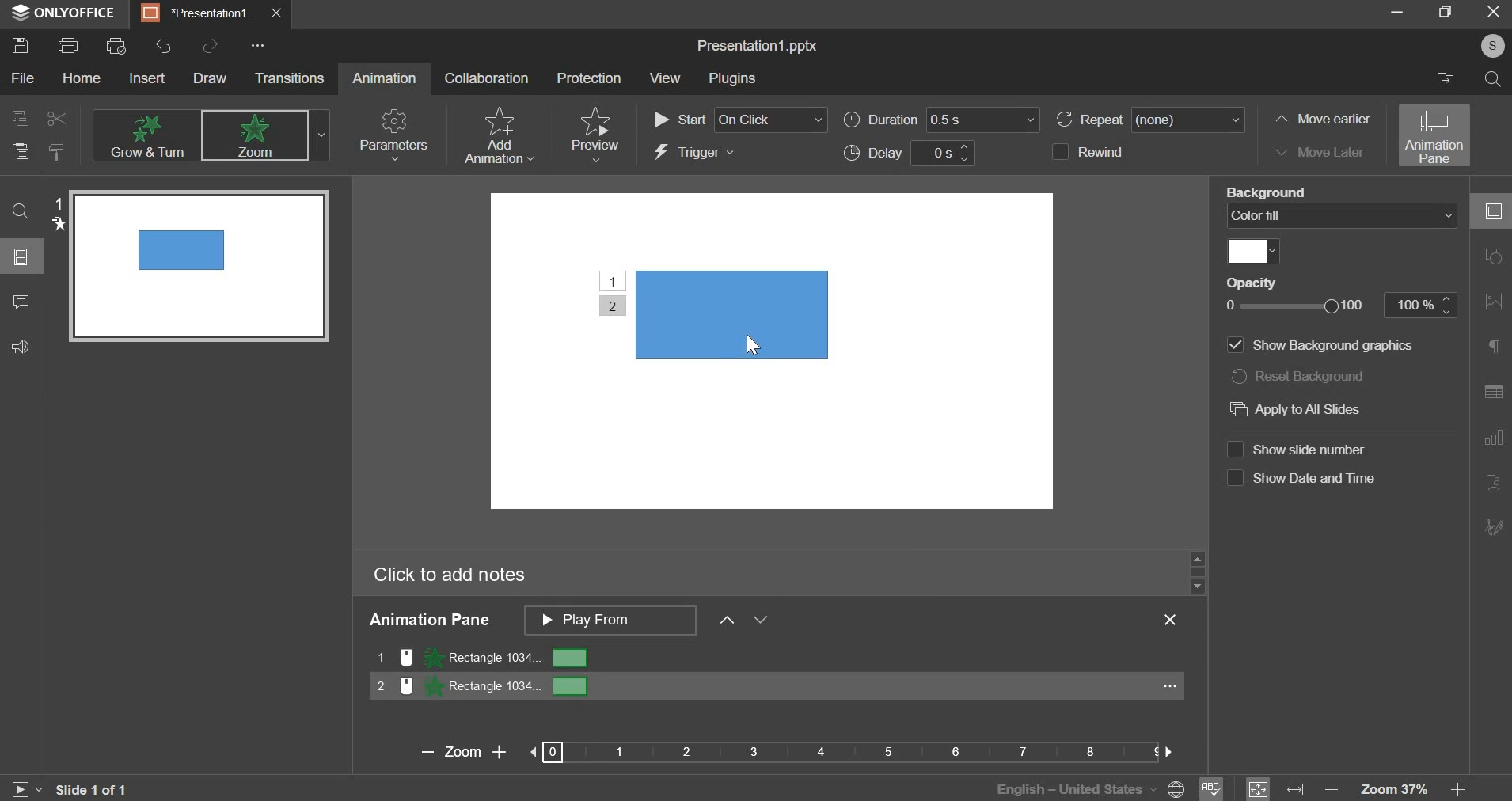 The height and width of the screenshot is (801, 1512). I want to click on duration, so click(944, 119).